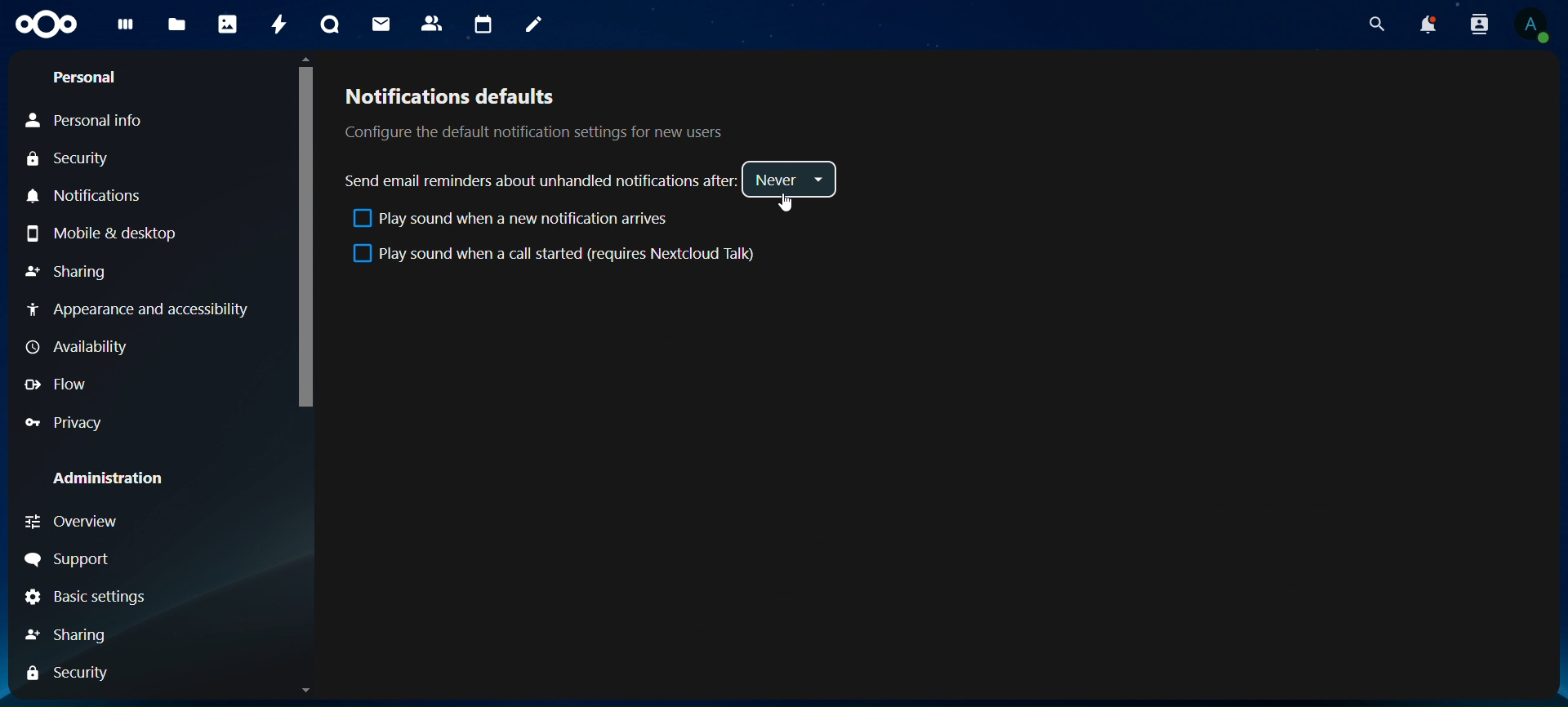 The height and width of the screenshot is (707, 1568). Describe the element at coordinates (332, 25) in the screenshot. I see `talk` at that location.